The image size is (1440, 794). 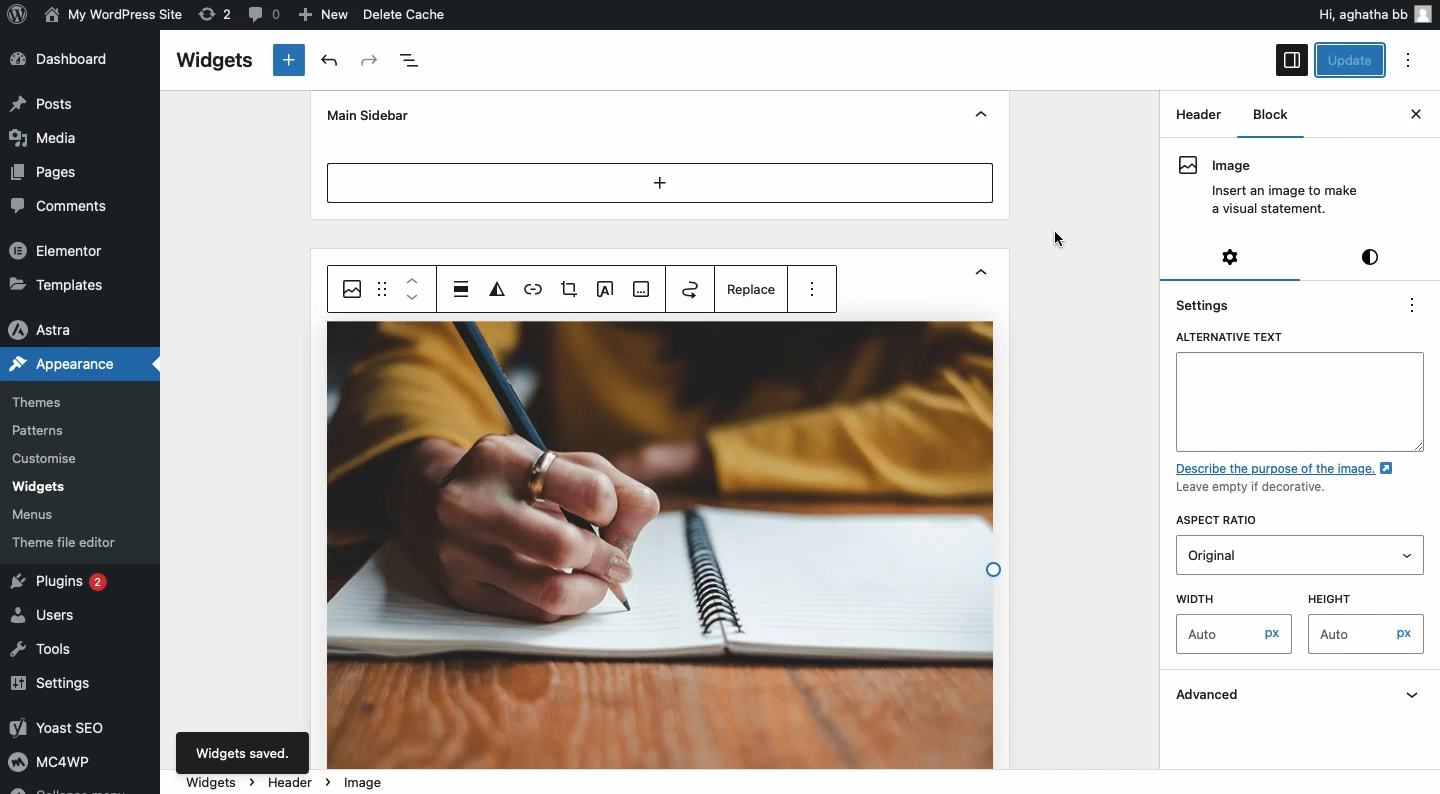 I want to click on Templates, so click(x=60, y=283).